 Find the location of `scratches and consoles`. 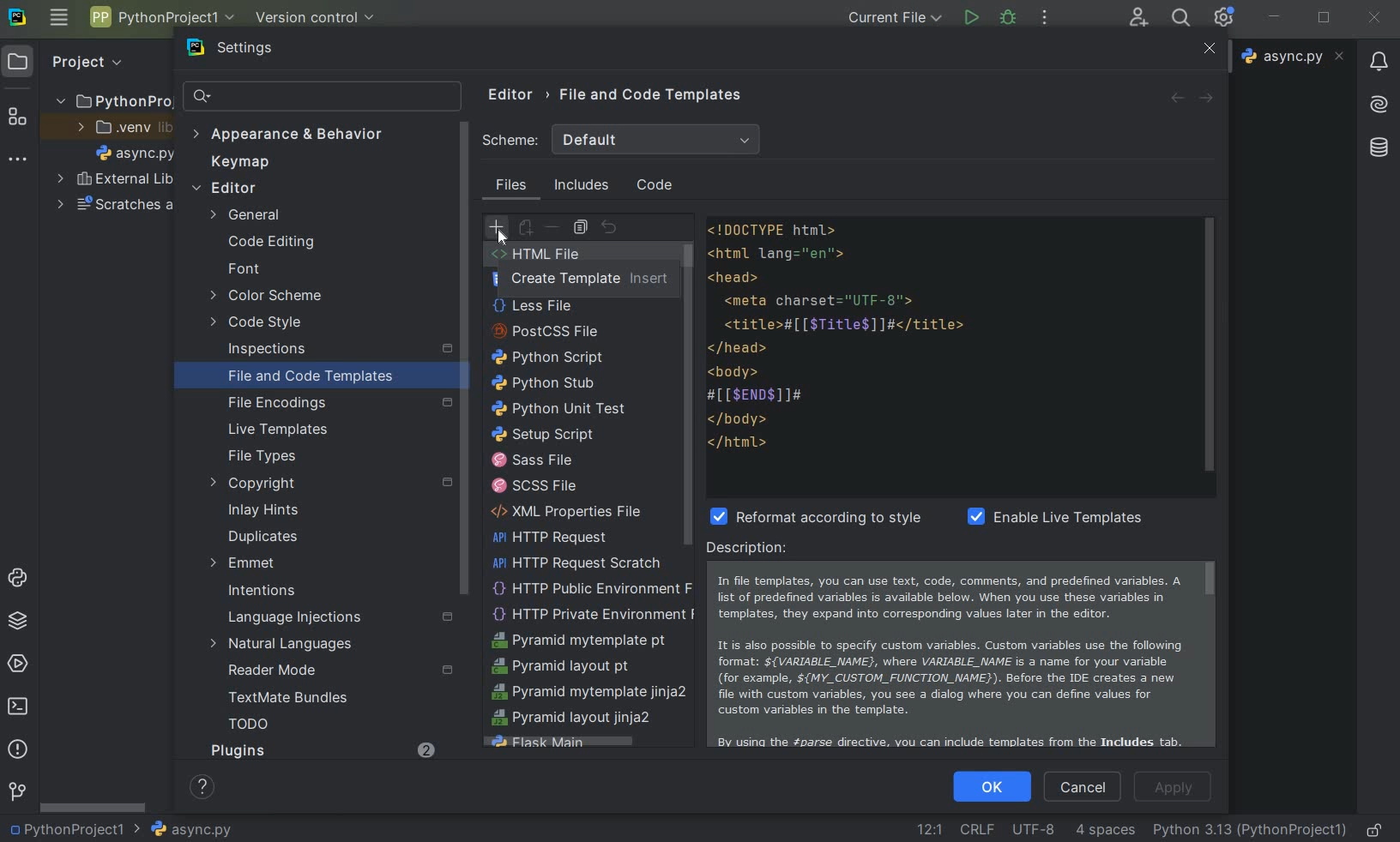

scratches and consoles is located at coordinates (125, 206).